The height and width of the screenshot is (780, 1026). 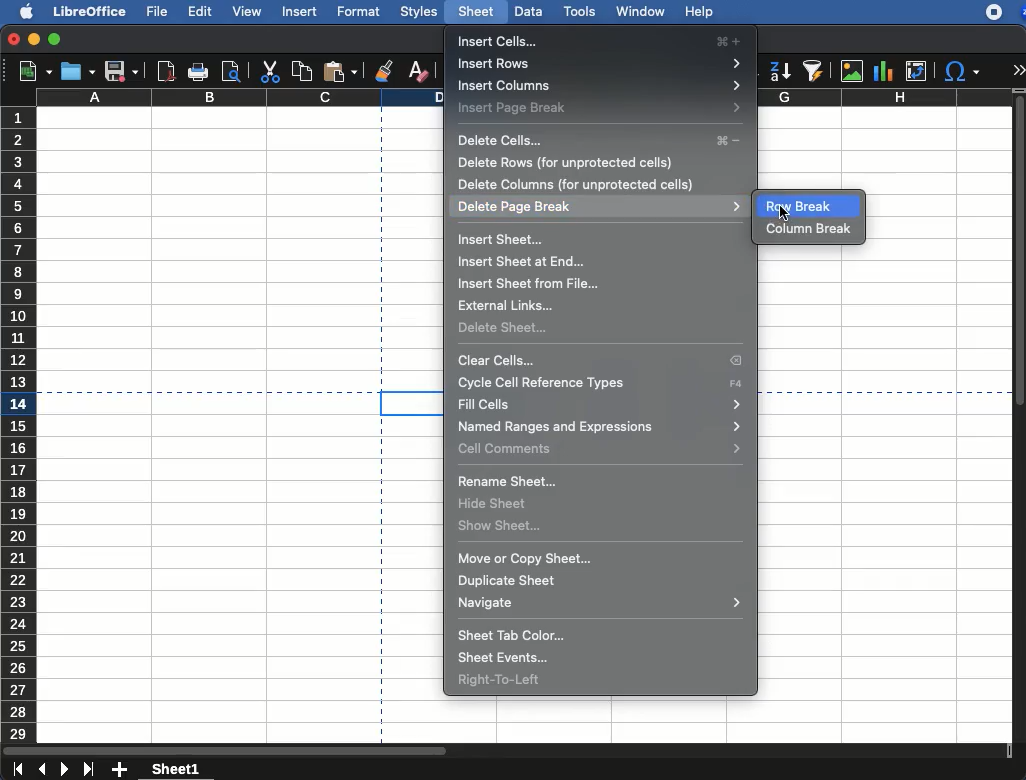 What do you see at coordinates (919, 69) in the screenshot?
I see `pivot table` at bounding box center [919, 69].